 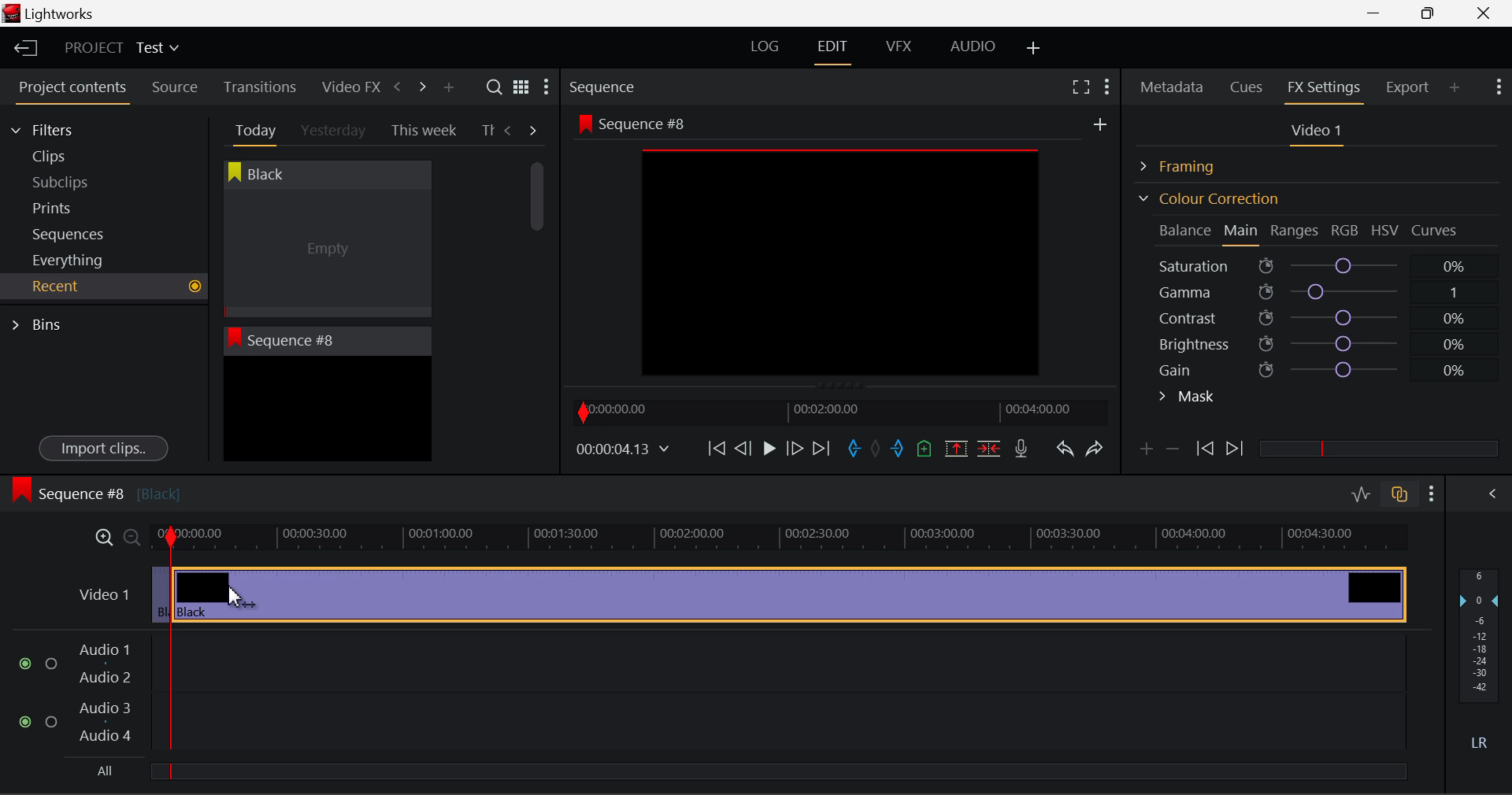 What do you see at coordinates (327, 412) in the screenshot?
I see `Recent Clip` at bounding box center [327, 412].